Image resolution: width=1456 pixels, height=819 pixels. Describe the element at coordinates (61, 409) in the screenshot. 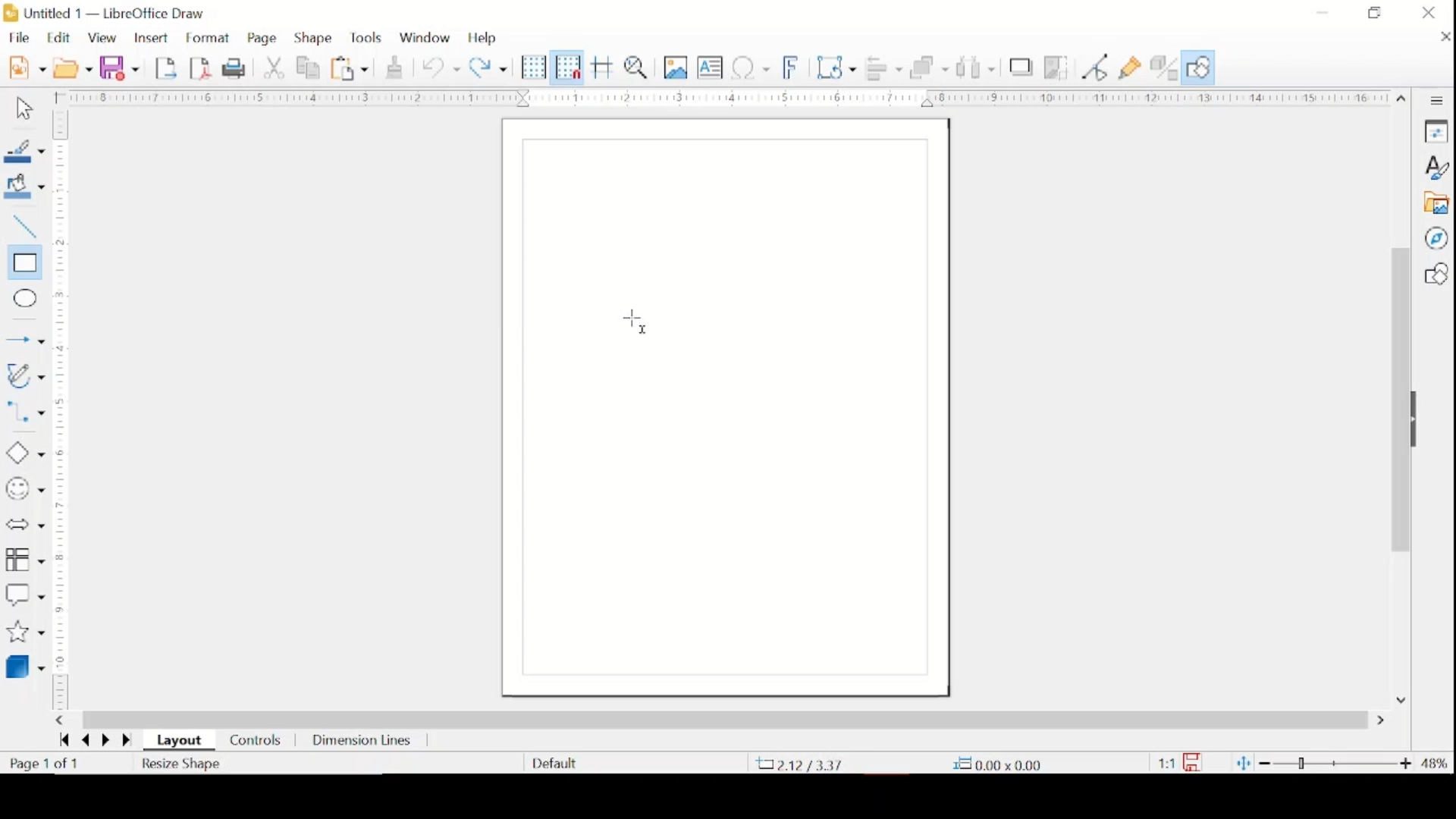

I see `margin` at that location.